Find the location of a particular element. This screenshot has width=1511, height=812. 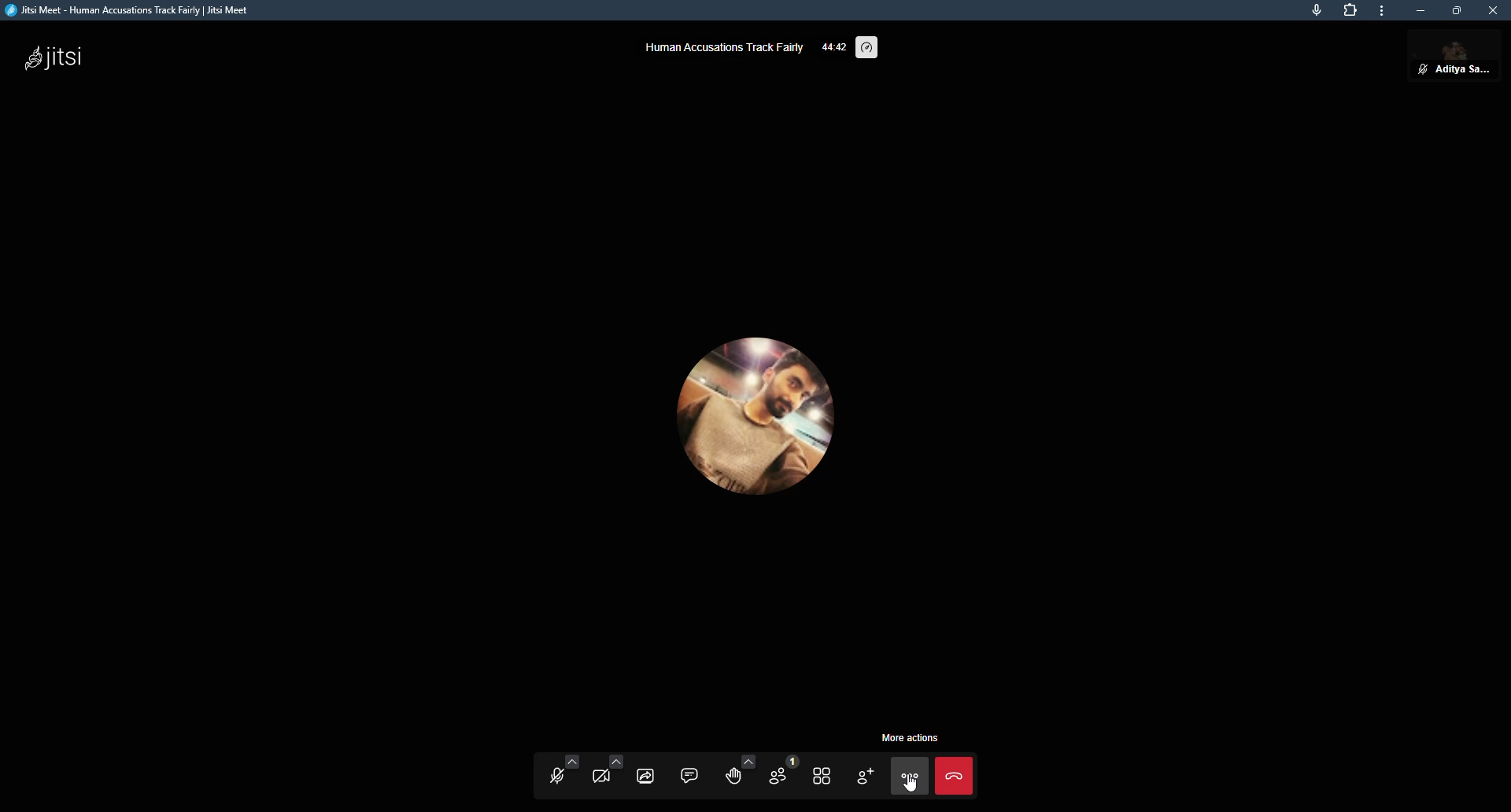

more is located at coordinates (1387, 12).